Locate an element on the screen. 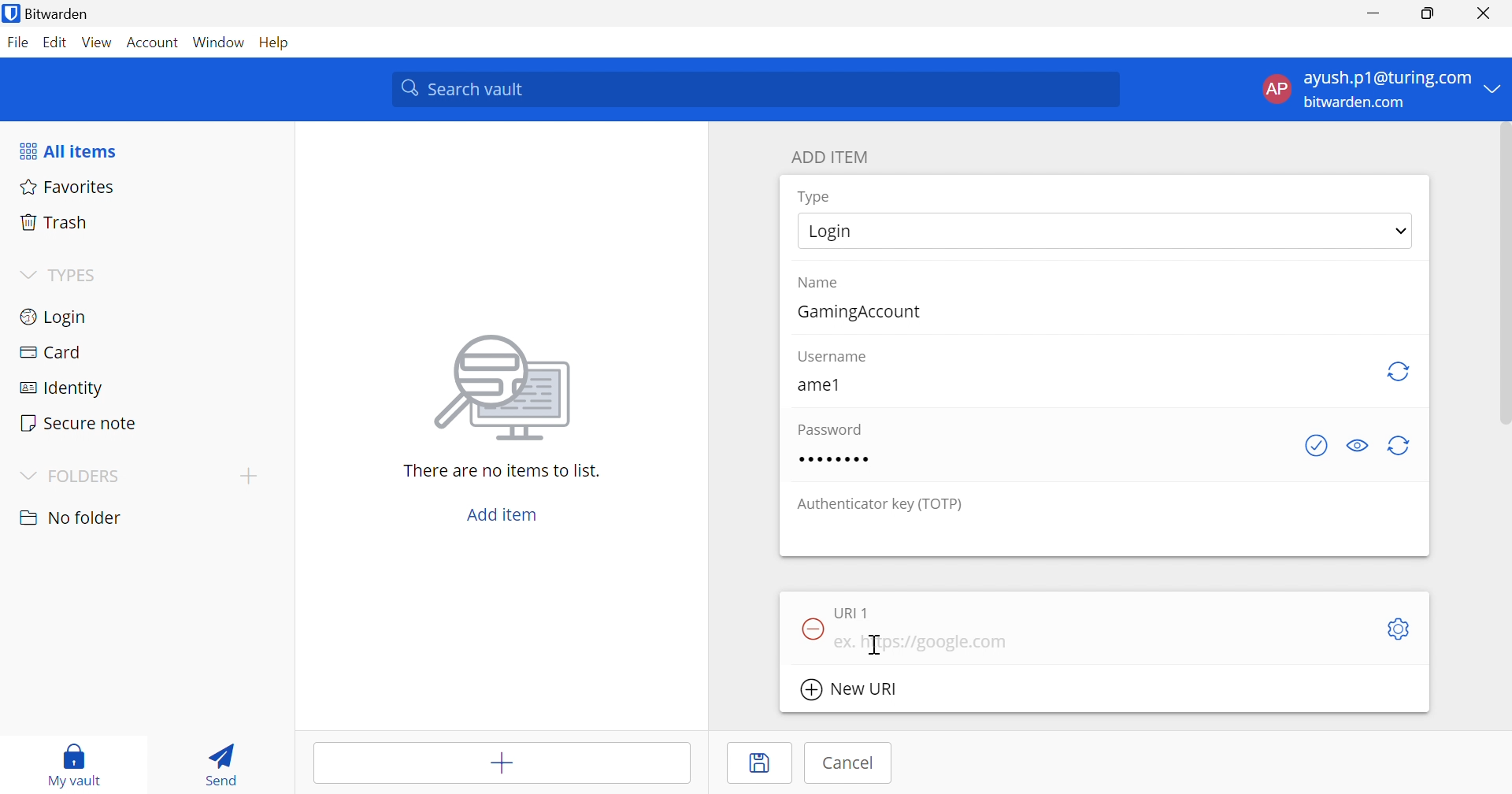 This screenshot has width=1512, height=794. bitwarden.com is located at coordinates (1355, 103).